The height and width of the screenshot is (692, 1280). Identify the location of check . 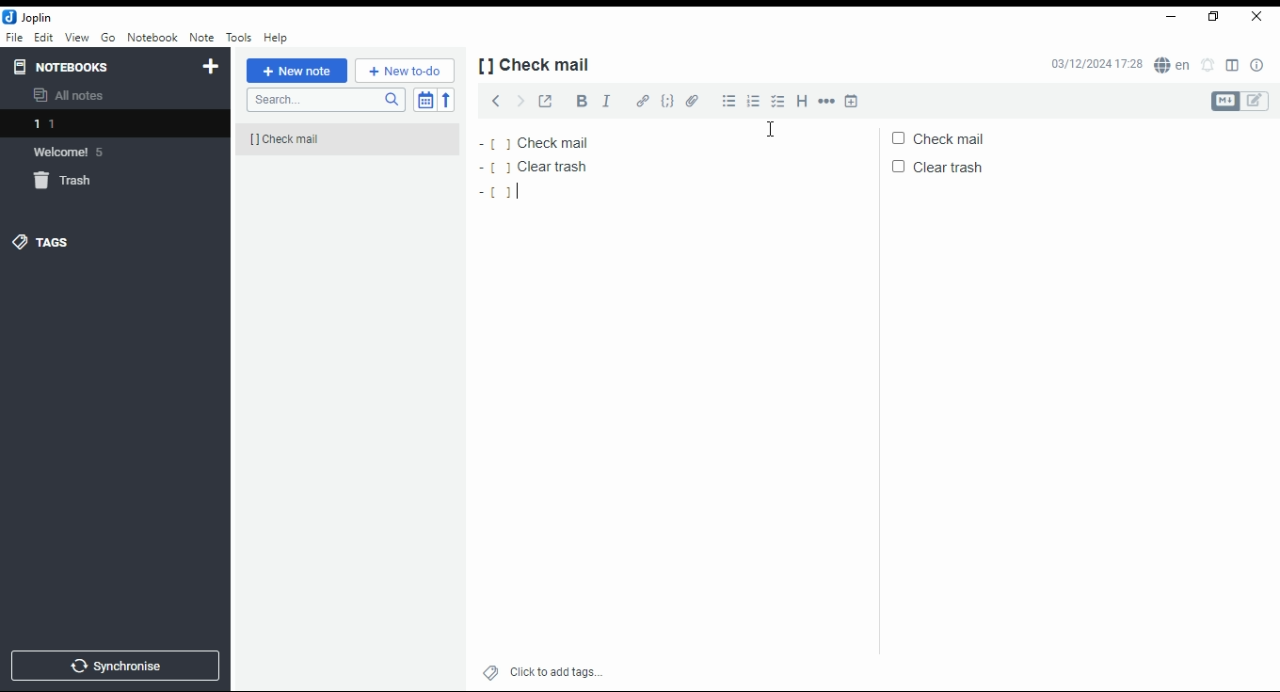
(948, 139).